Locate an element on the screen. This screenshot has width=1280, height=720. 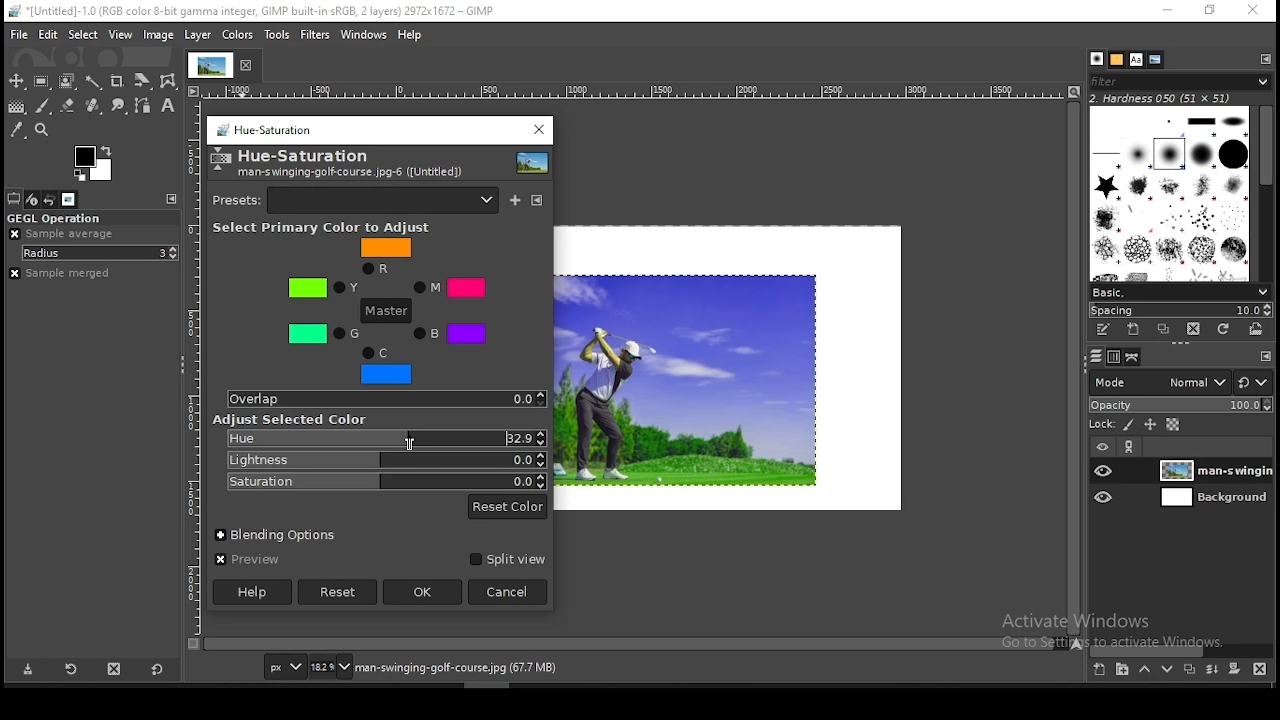
move layer on step down is located at coordinates (1167, 669).